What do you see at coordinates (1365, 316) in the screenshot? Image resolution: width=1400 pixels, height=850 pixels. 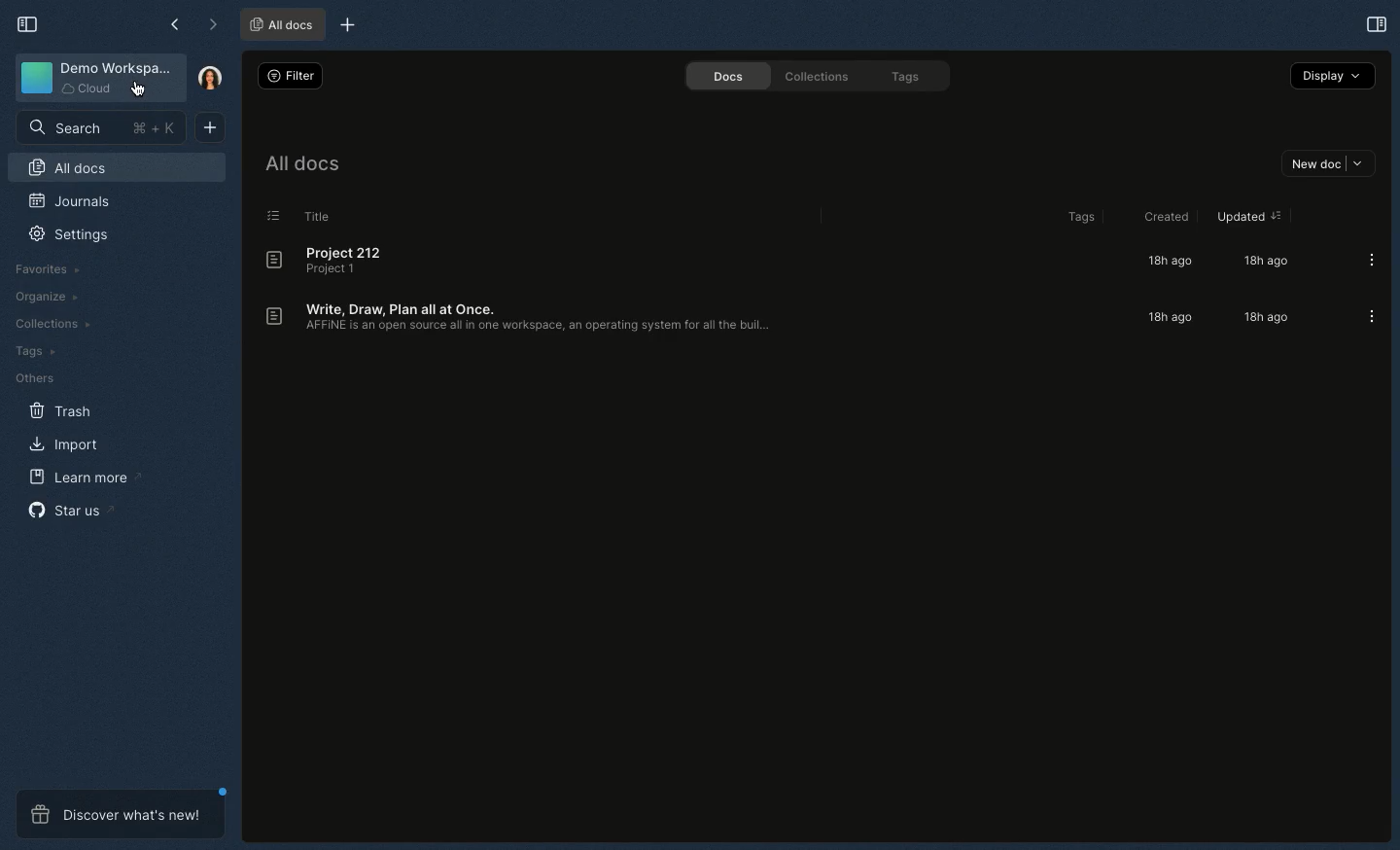 I see `Options` at bounding box center [1365, 316].